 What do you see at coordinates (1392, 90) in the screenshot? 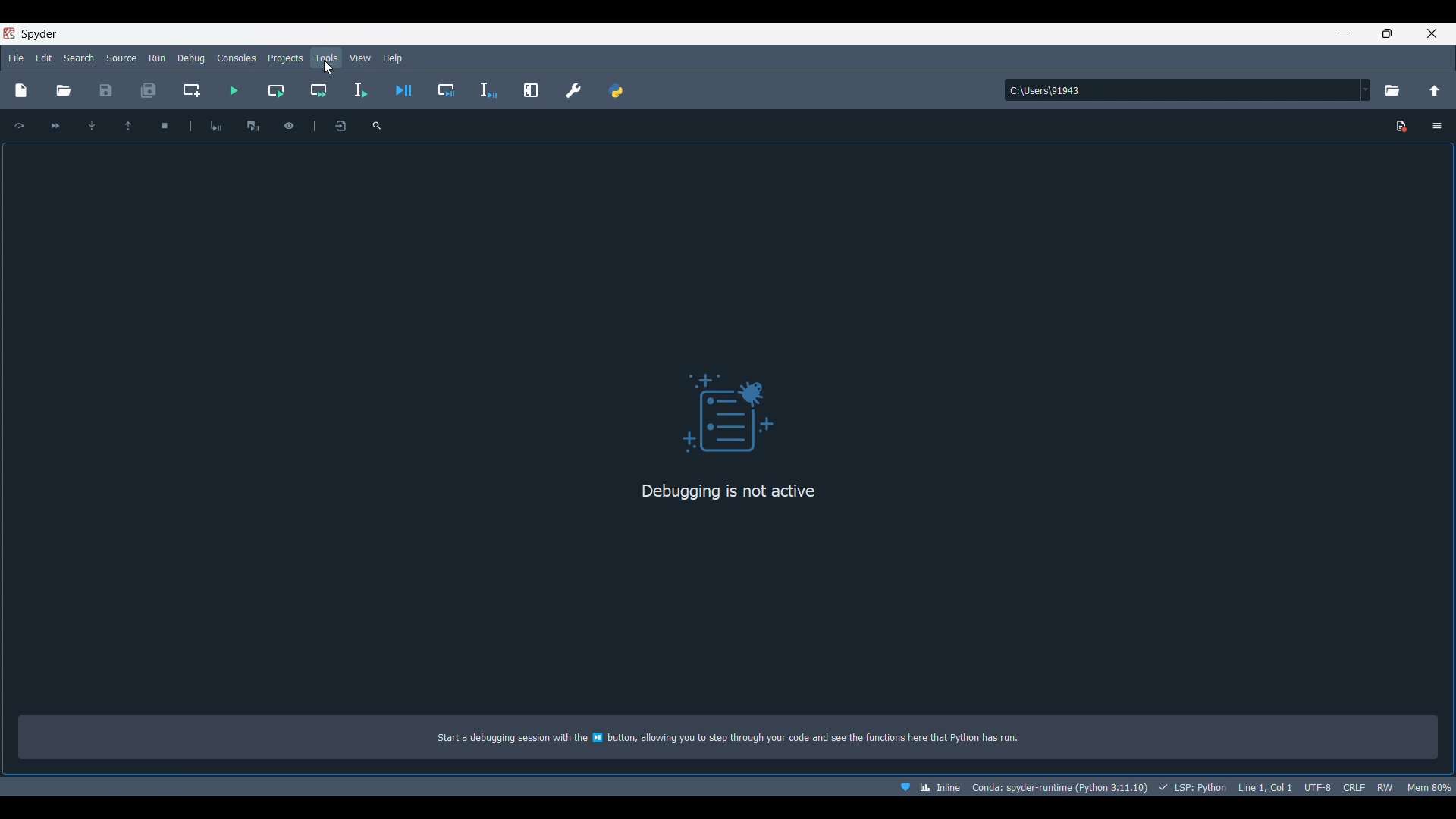
I see `Browse a working directory` at bounding box center [1392, 90].